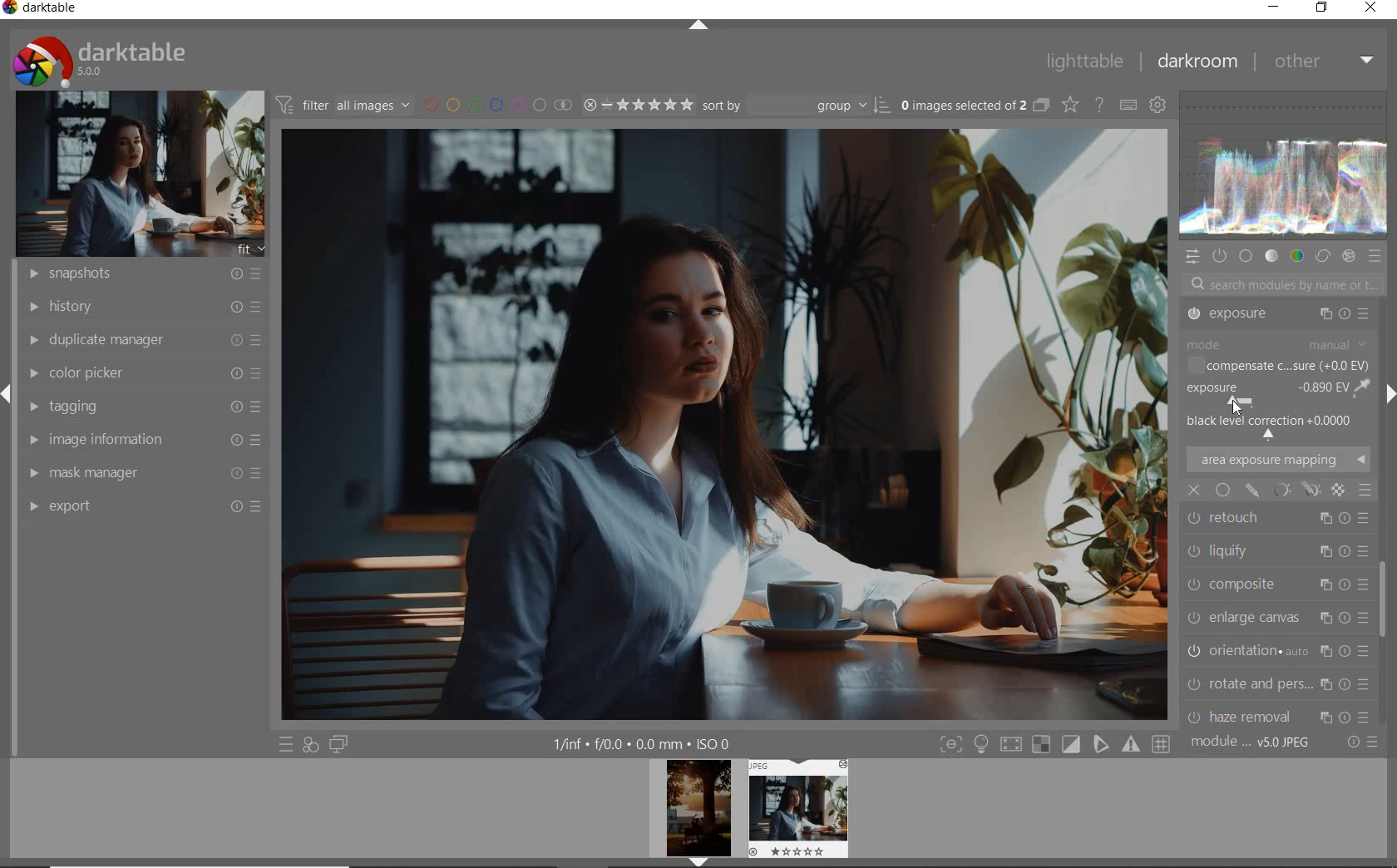 This screenshot has width=1397, height=868. What do you see at coordinates (1222, 491) in the screenshot?
I see `uniformly` at bounding box center [1222, 491].